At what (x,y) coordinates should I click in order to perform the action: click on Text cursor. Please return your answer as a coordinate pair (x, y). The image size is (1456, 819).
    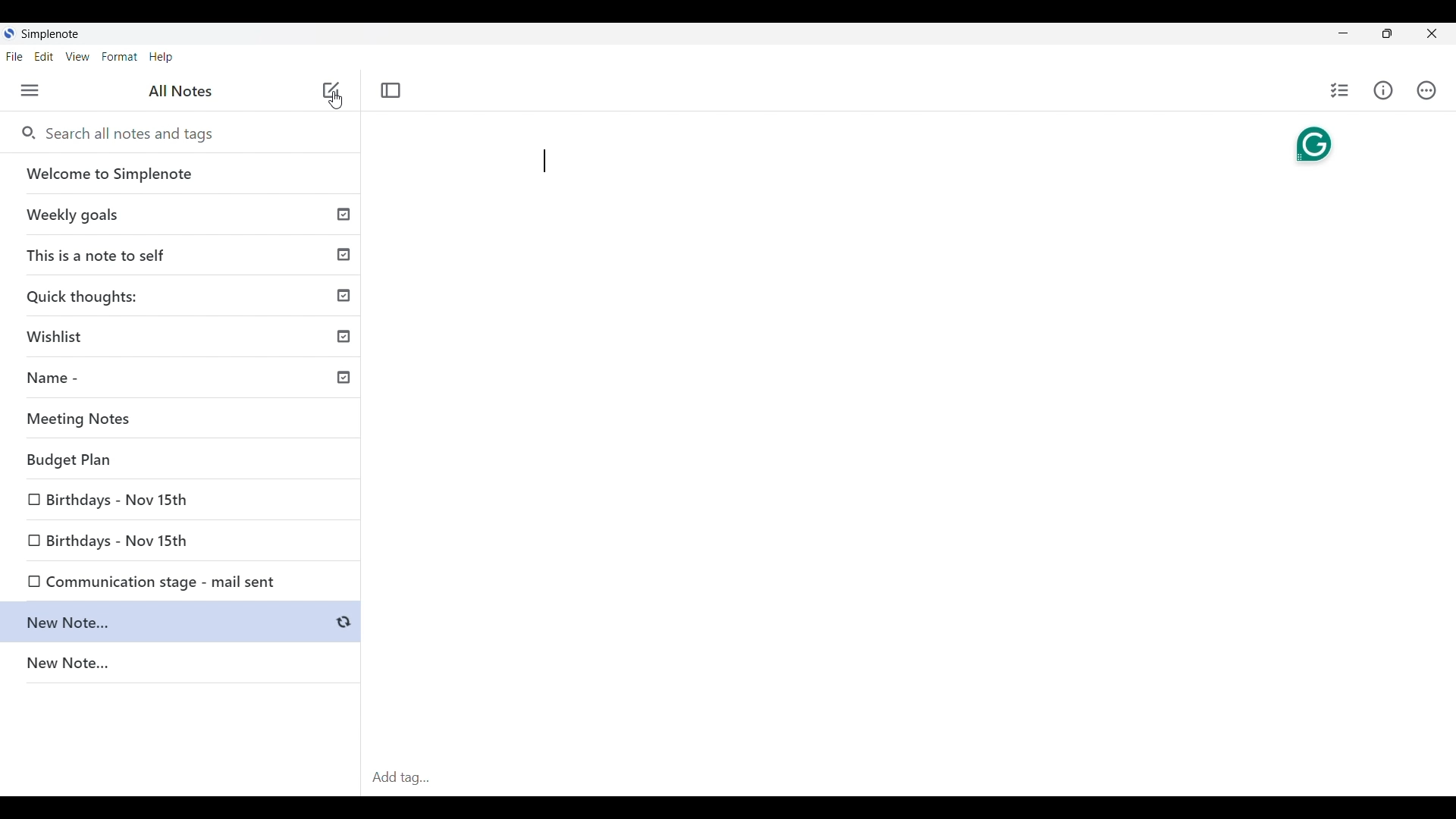
    Looking at the image, I should click on (546, 161).